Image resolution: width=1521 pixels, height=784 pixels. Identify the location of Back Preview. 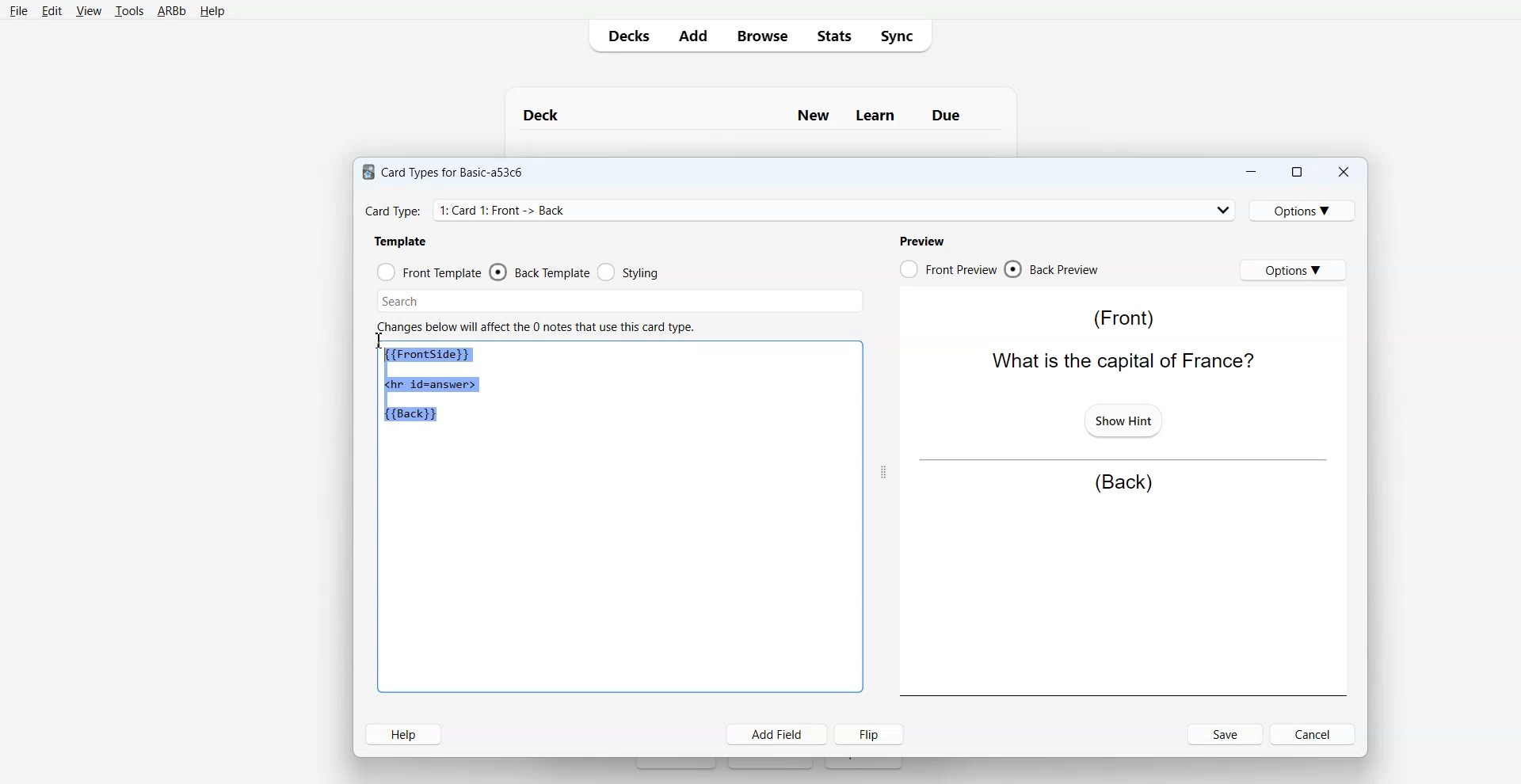
(1052, 269).